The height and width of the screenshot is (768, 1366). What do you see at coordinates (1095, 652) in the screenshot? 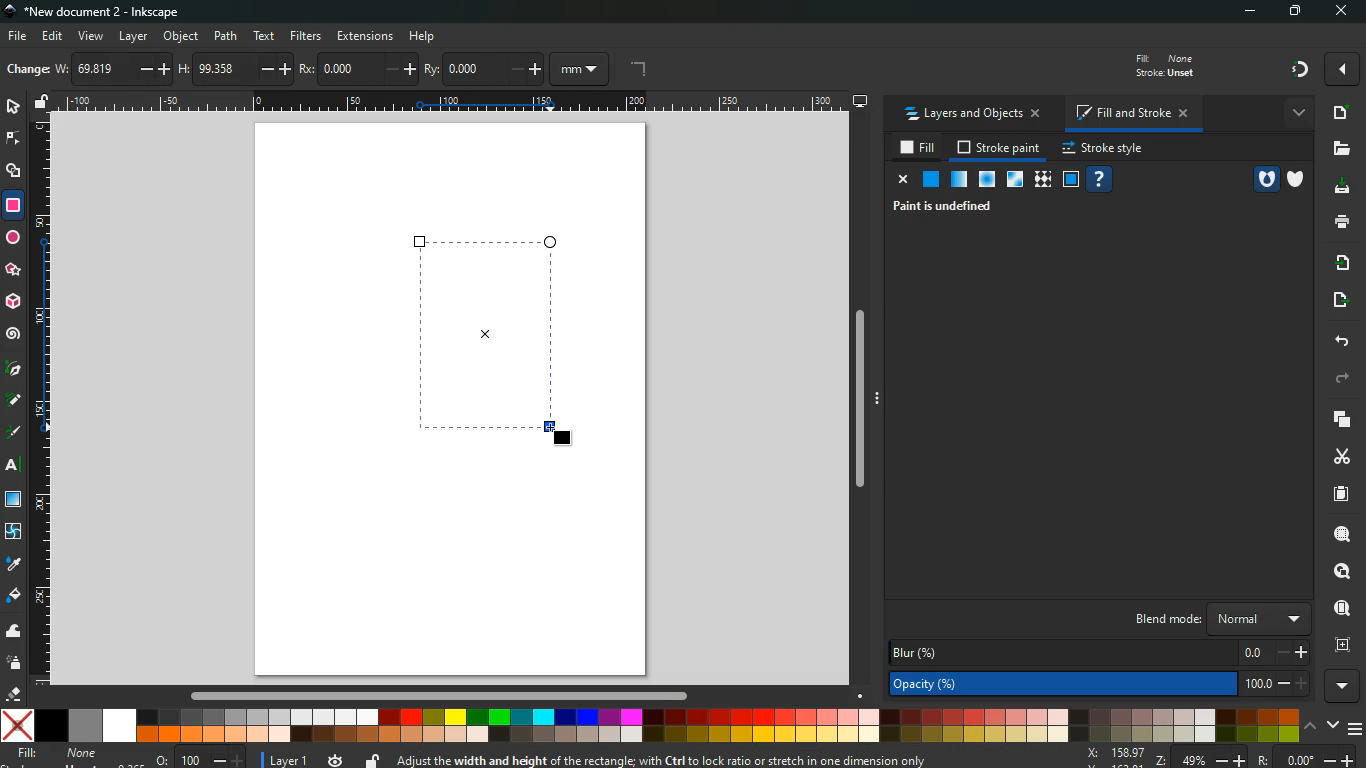
I see `blur` at bounding box center [1095, 652].